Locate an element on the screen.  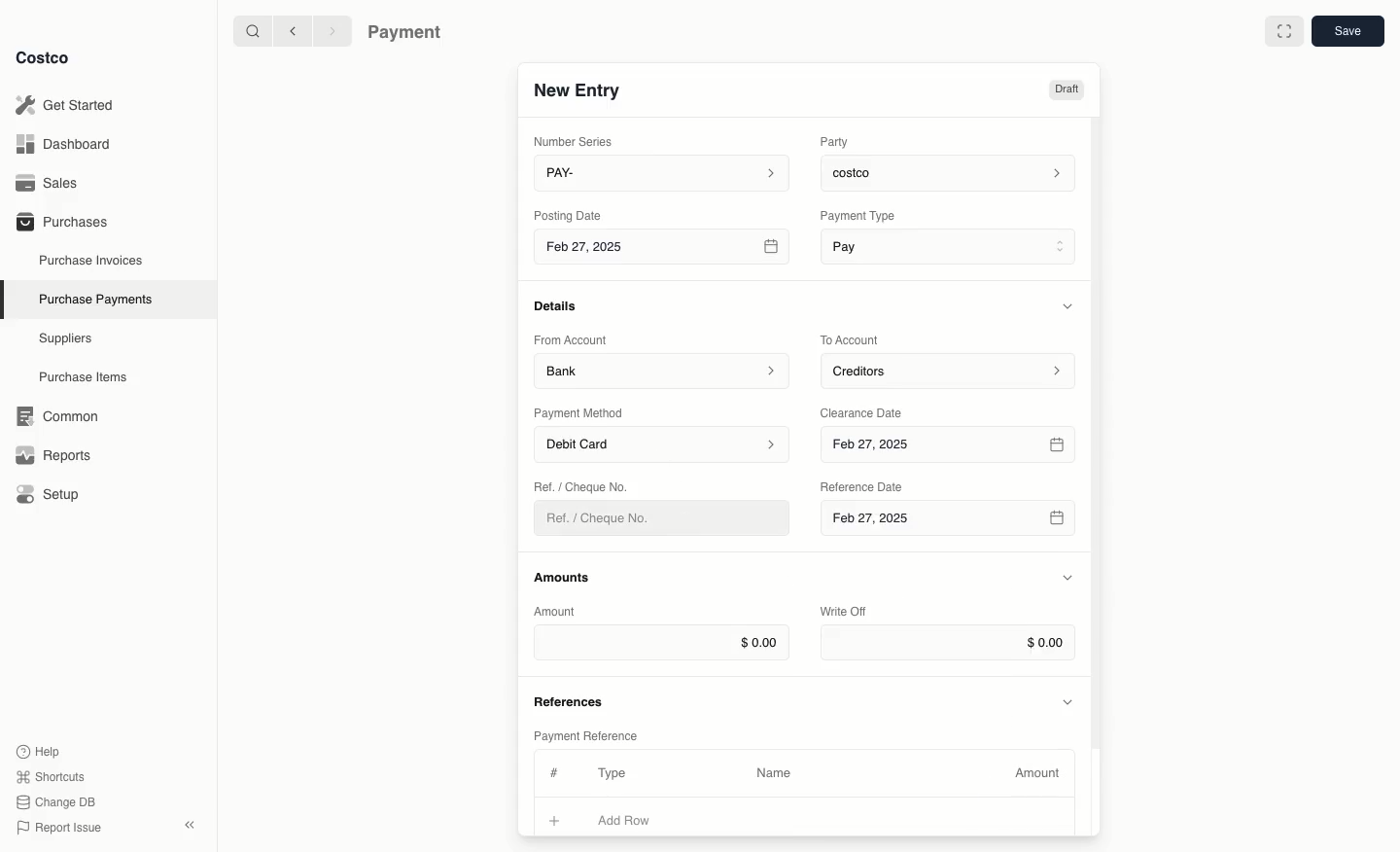
Sales is located at coordinates (53, 183).